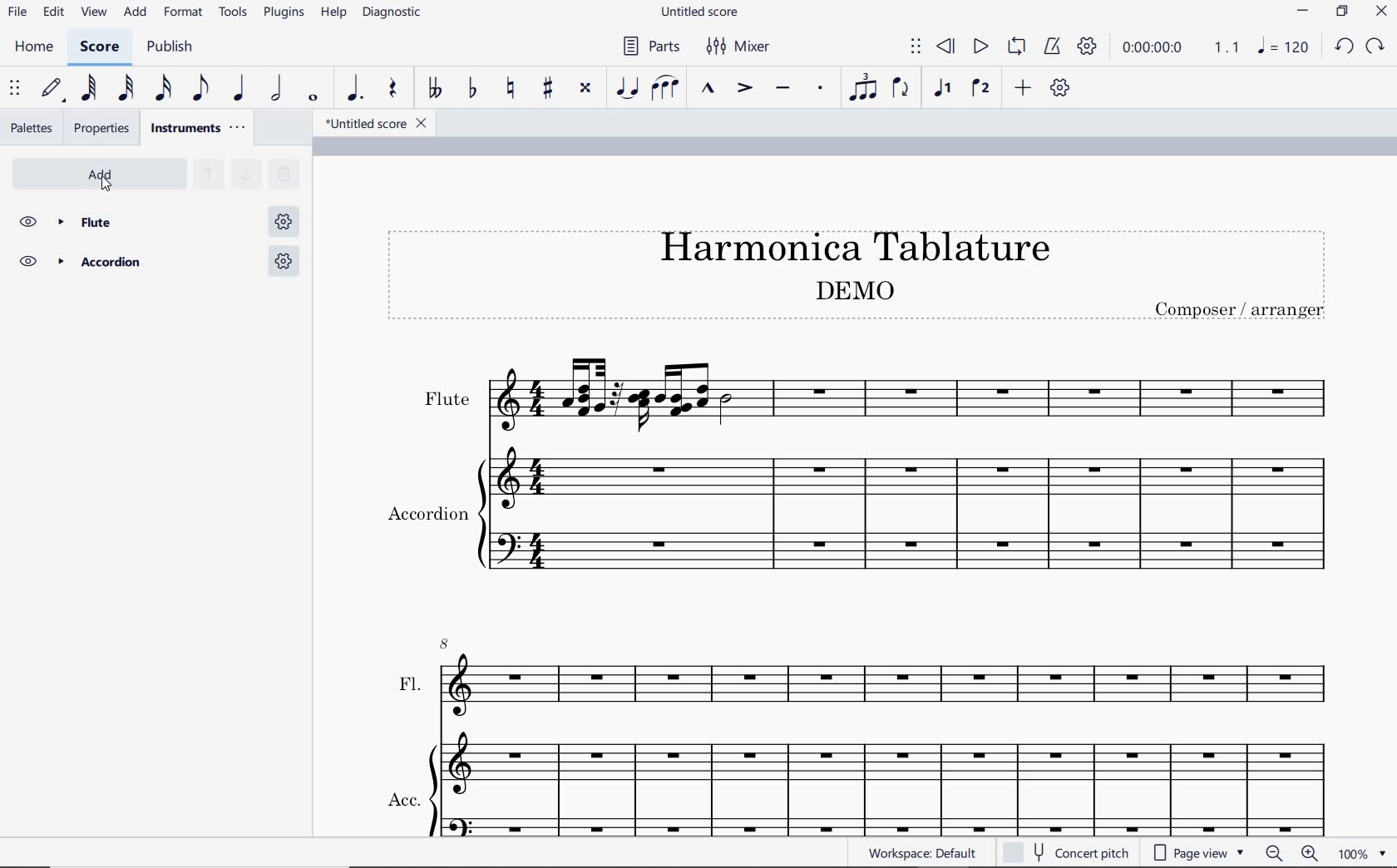 The height and width of the screenshot is (868, 1397). Describe the element at coordinates (136, 12) in the screenshot. I see `ADD` at that location.